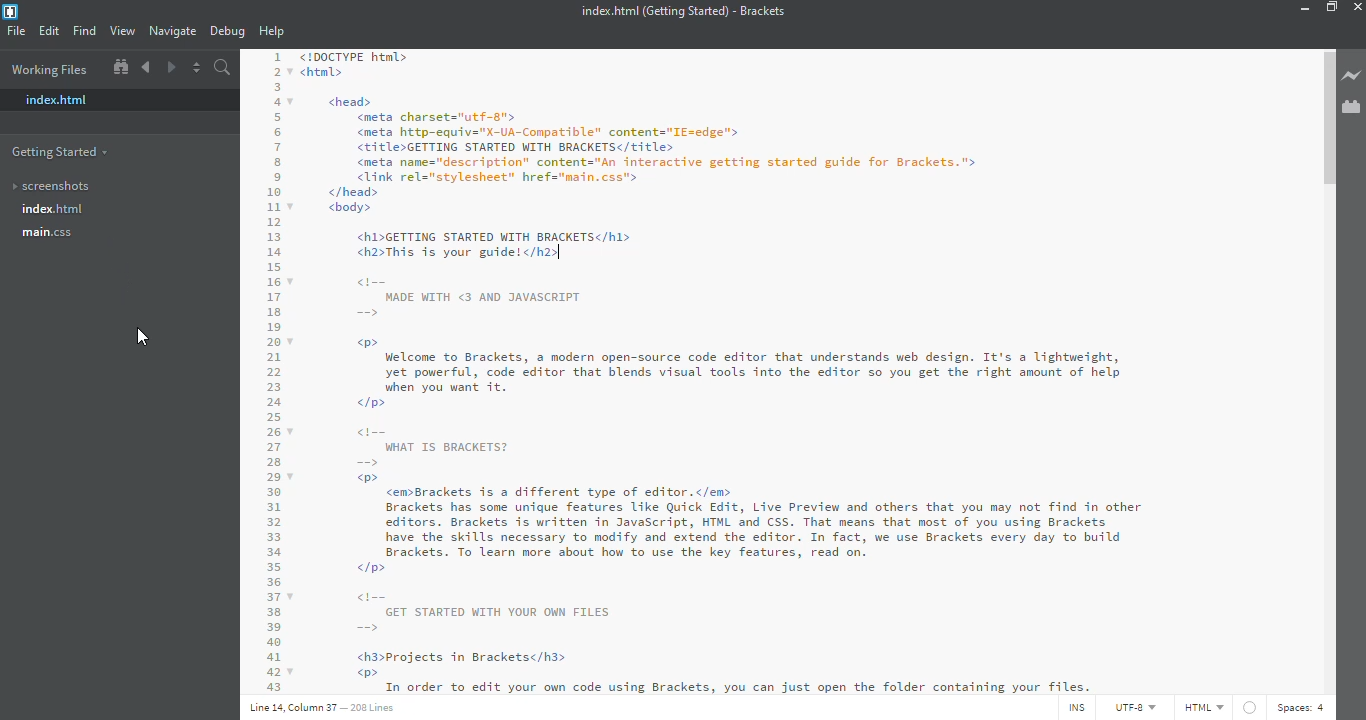 The width and height of the screenshot is (1366, 720). What do you see at coordinates (64, 152) in the screenshot?
I see `getting started` at bounding box center [64, 152].